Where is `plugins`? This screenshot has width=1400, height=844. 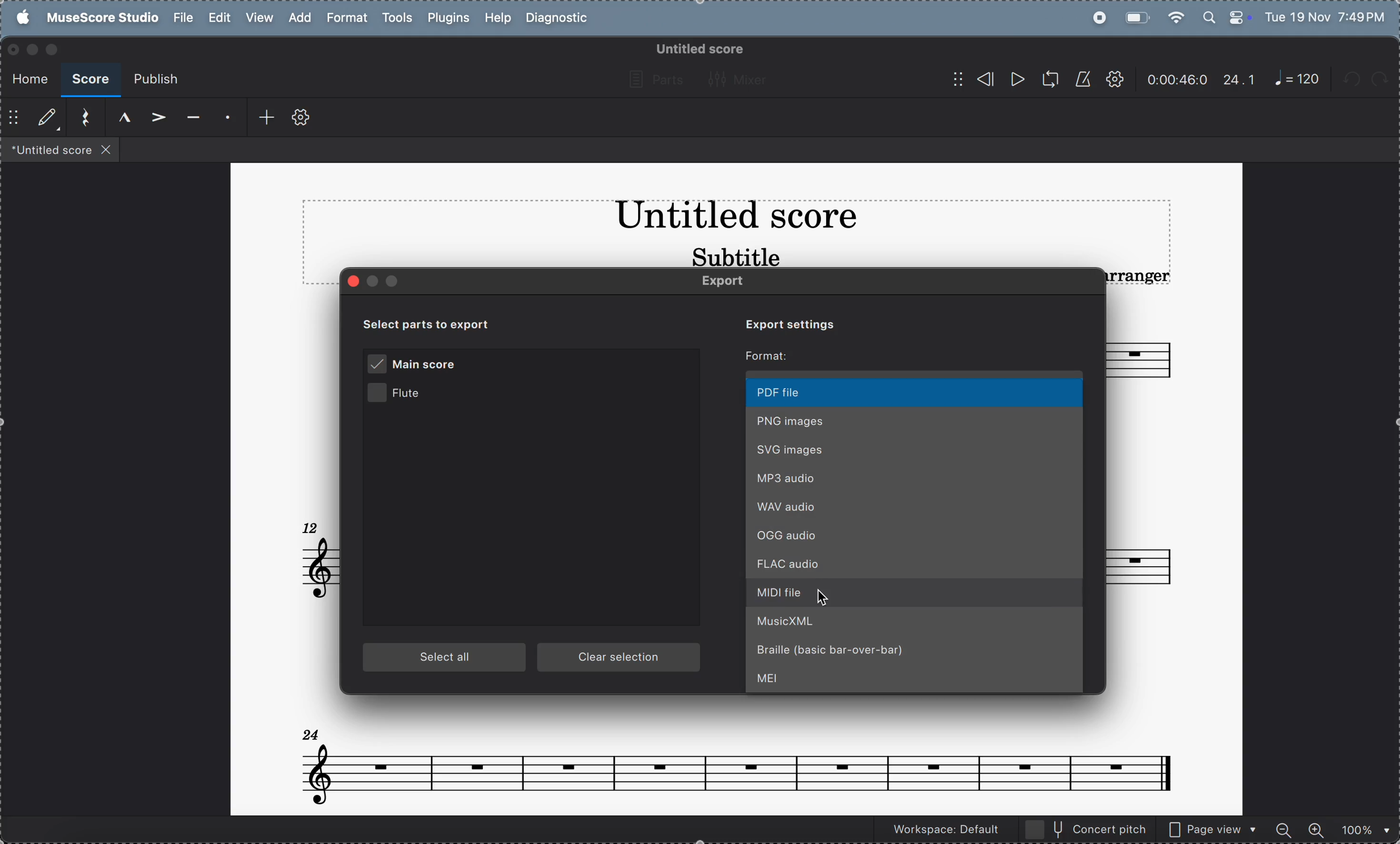
plugins is located at coordinates (445, 19).